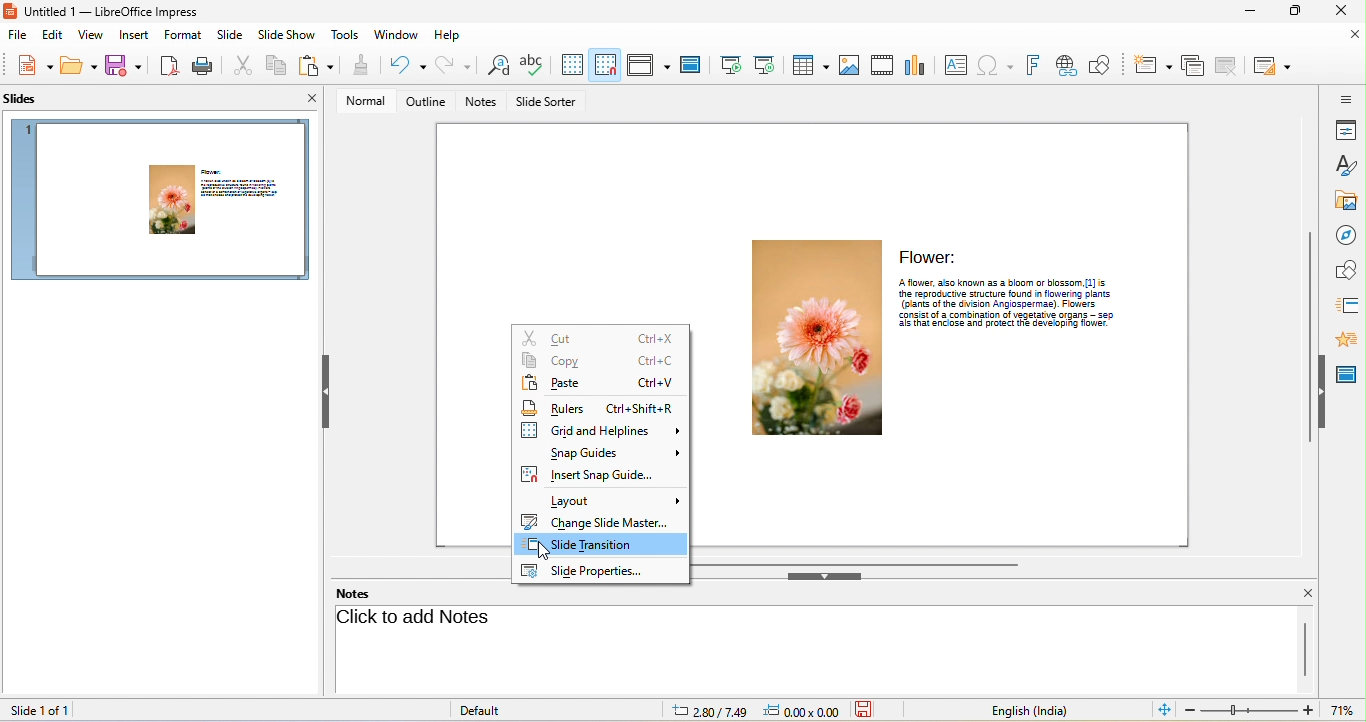 The width and height of the screenshot is (1366, 722). Describe the element at coordinates (606, 66) in the screenshot. I see `snap to grid` at that location.